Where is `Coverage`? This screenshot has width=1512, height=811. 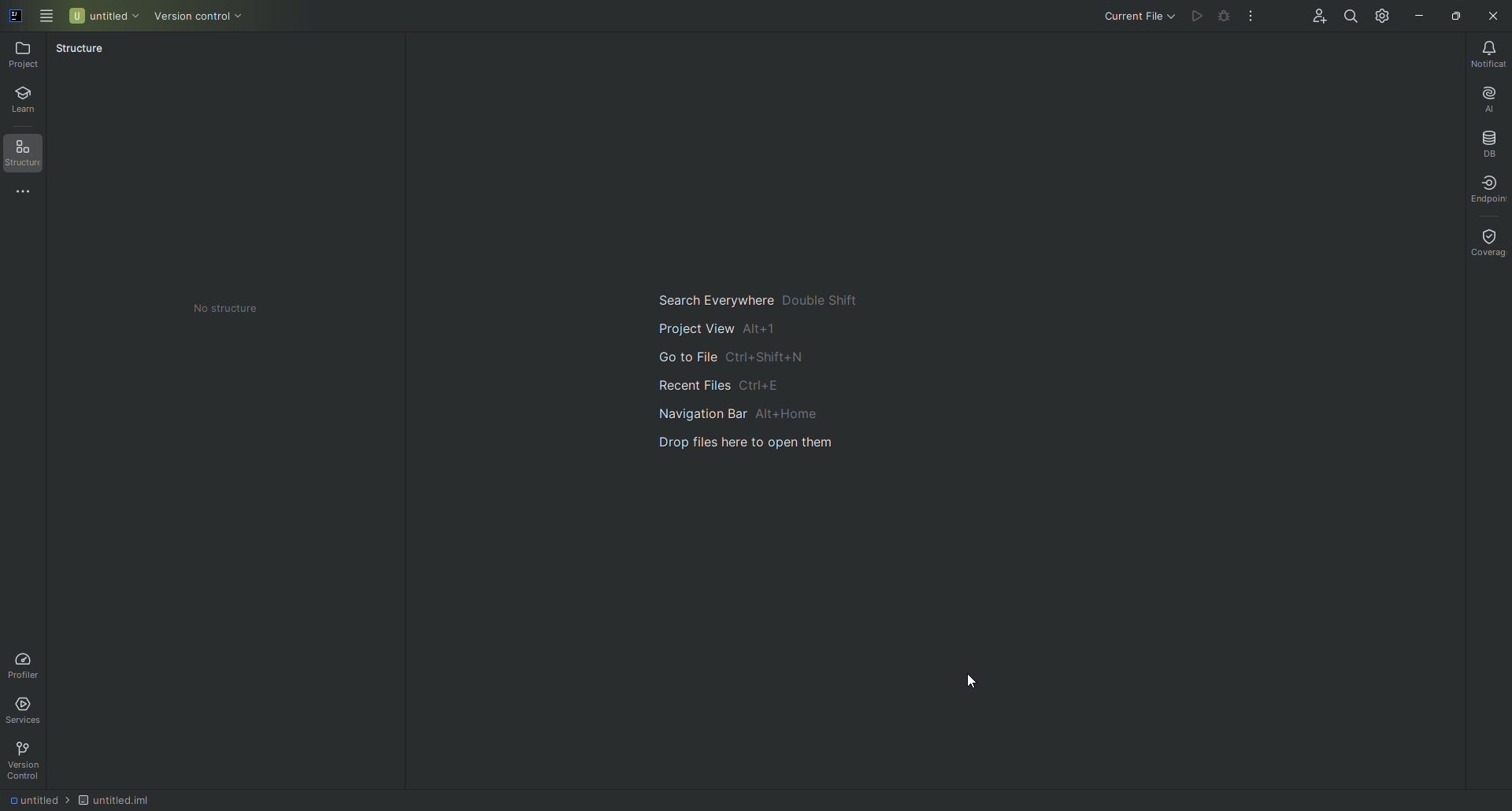
Coverage is located at coordinates (1486, 243).